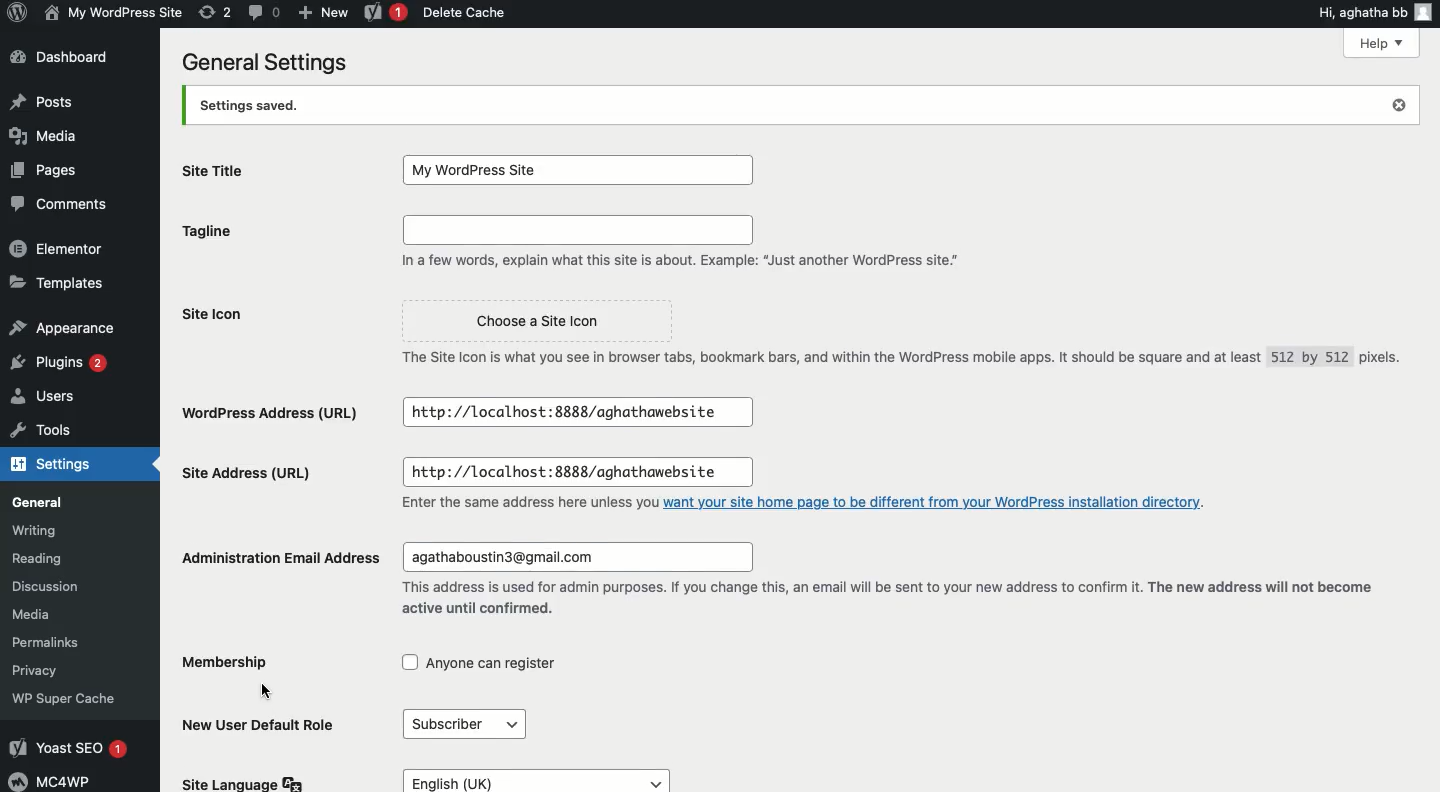 The width and height of the screenshot is (1440, 792). I want to click on ‘WP Super Cache, so click(65, 698).